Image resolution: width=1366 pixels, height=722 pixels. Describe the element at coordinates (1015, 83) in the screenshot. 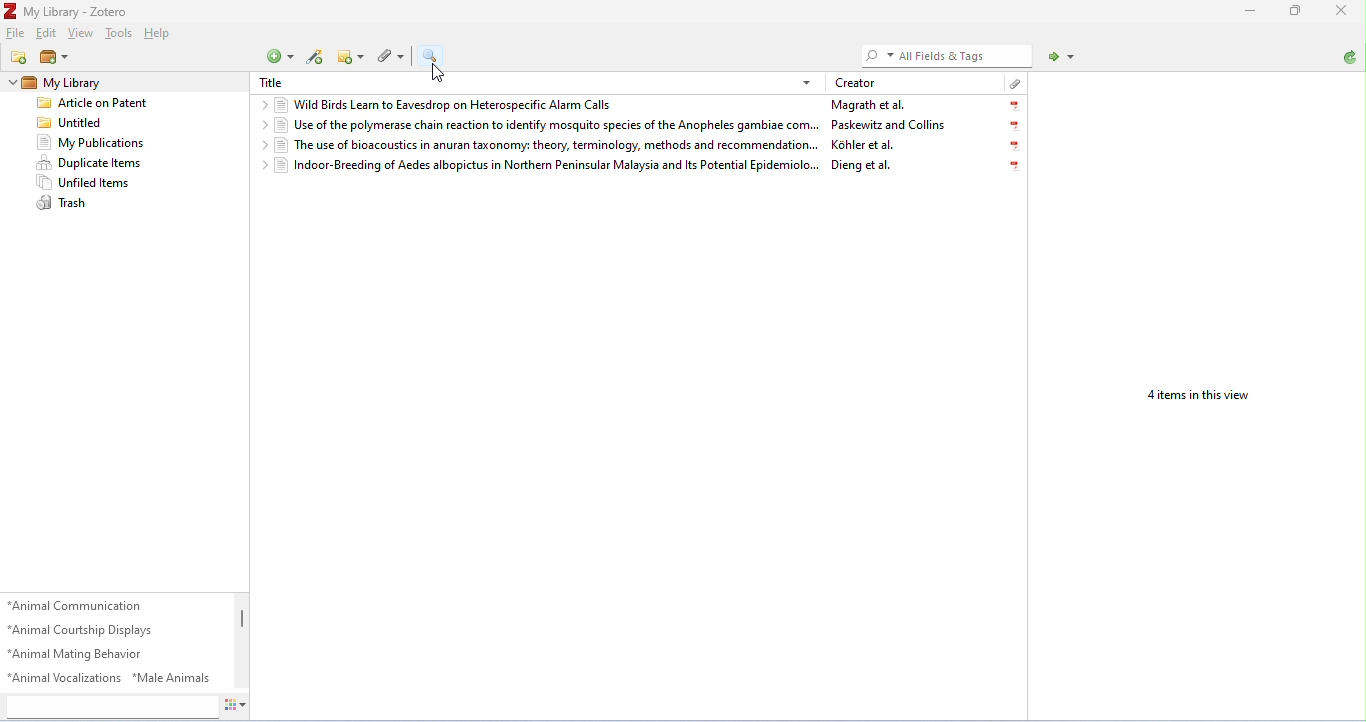

I see `attachment` at that location.